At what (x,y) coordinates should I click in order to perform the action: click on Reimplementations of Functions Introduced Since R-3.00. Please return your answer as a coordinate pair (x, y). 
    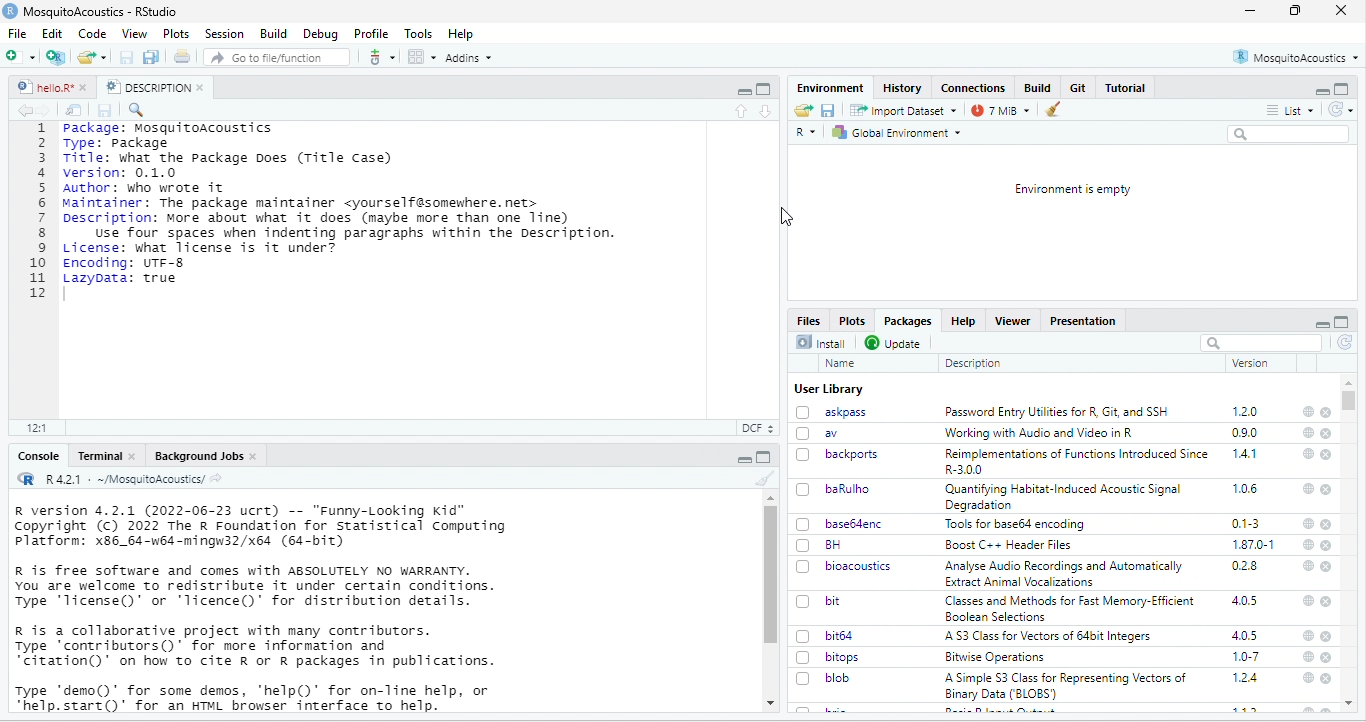
    Looking at the image, I should click on (1076, 462).